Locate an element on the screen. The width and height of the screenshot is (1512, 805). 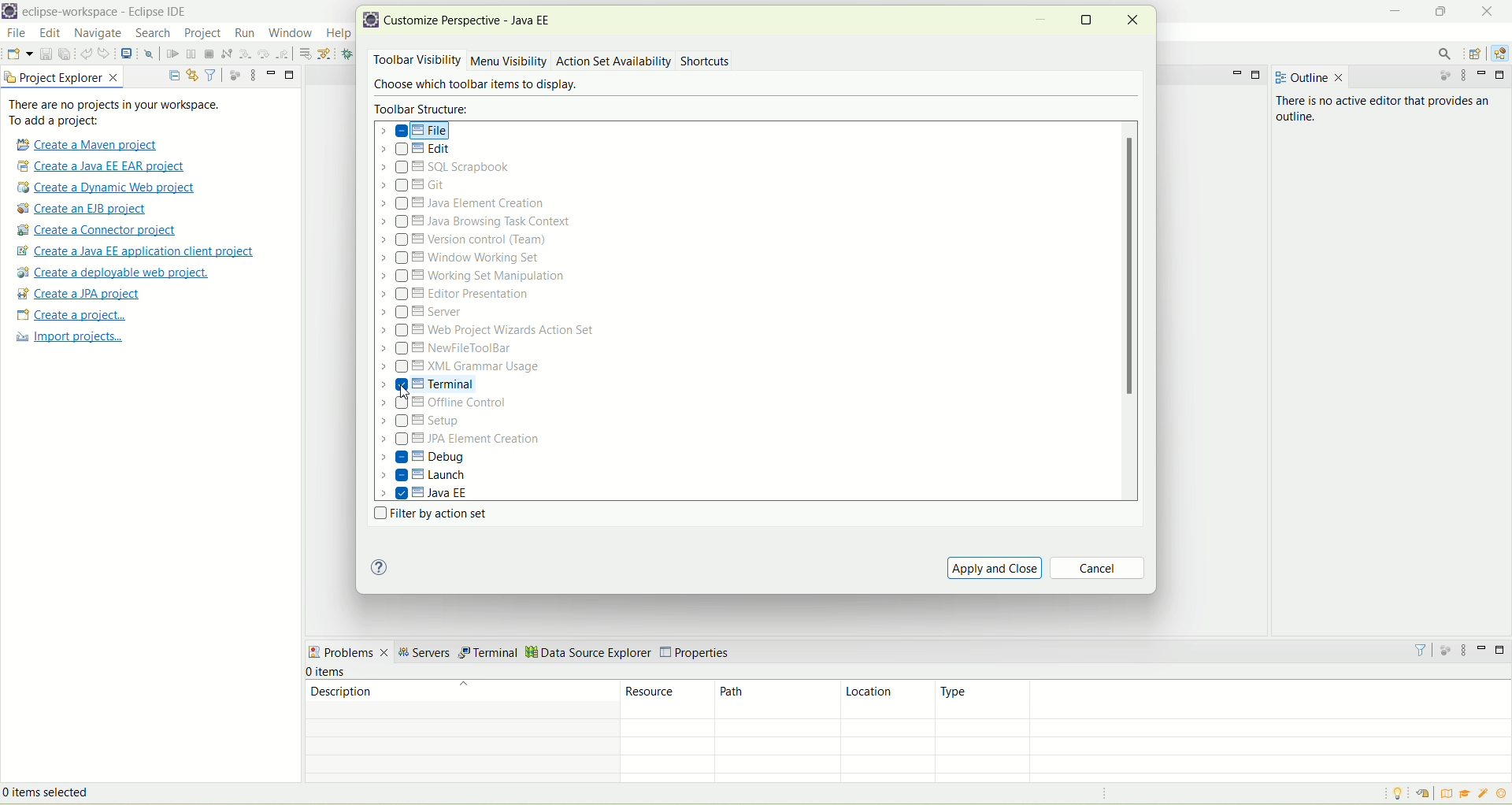
save all is located at coordinates (65, 54).